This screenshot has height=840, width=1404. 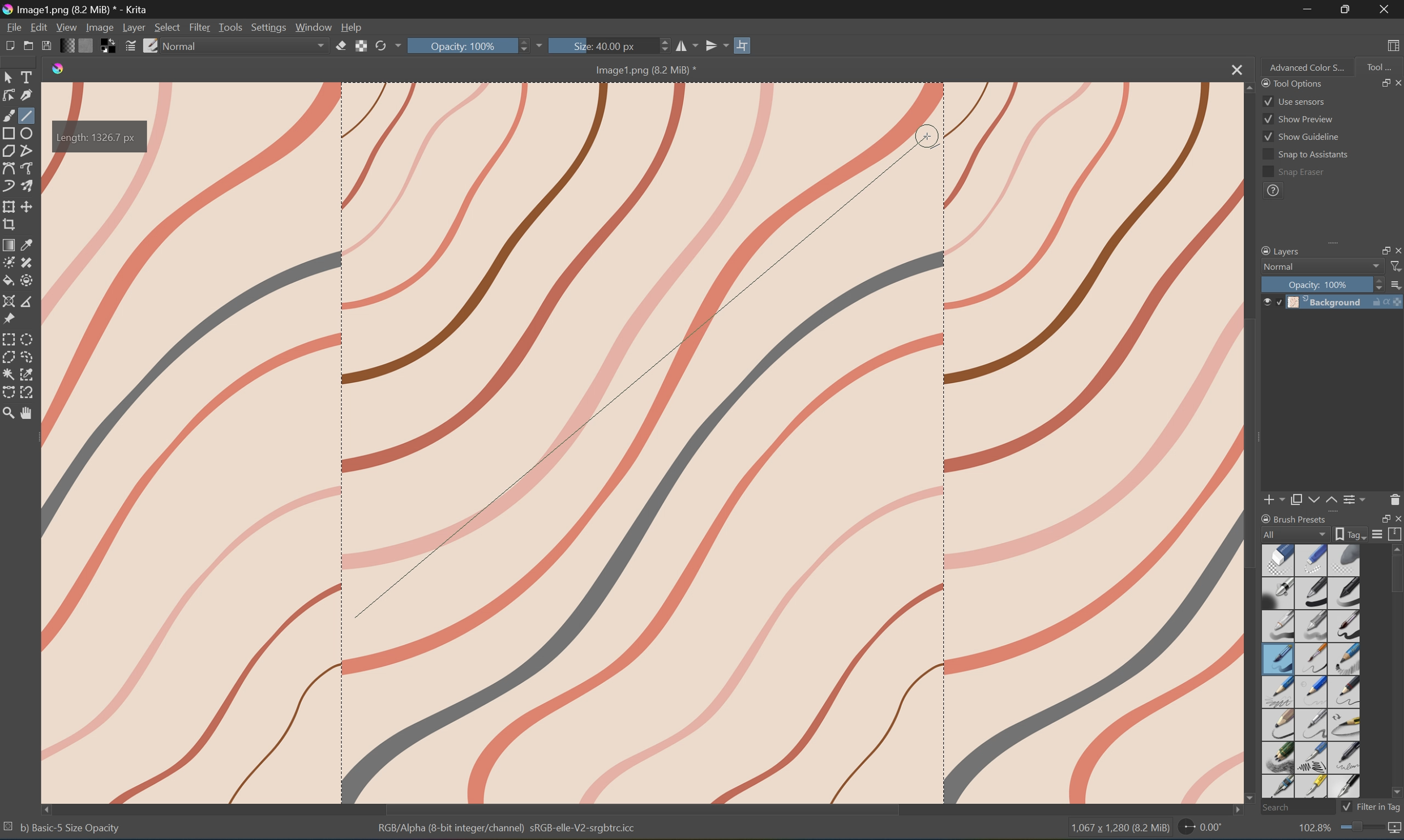 I want to click on Map the displayed canvas size between pixel size or print size, so click(x=1396, y=829).